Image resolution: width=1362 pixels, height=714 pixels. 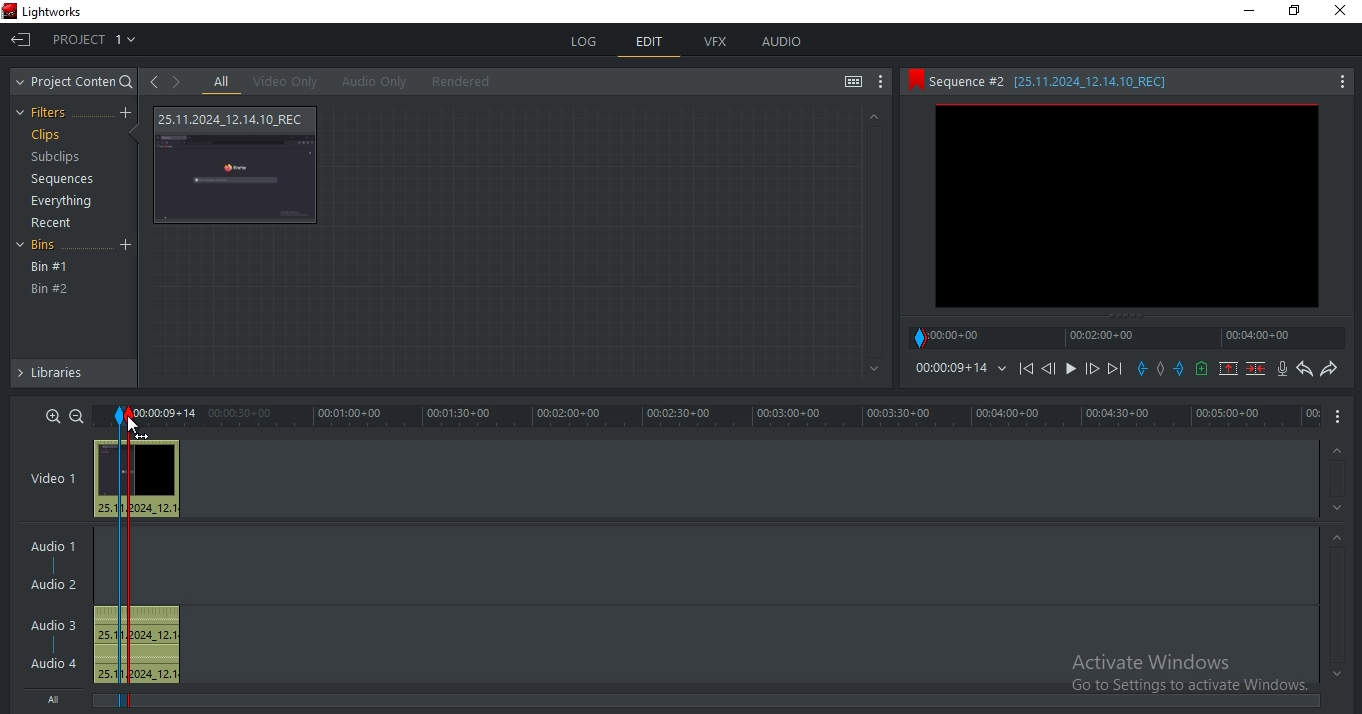 What do you see at coordinates (1339, 448) in the screenshot?
I see `Up` at bounding box center [1339, 448].